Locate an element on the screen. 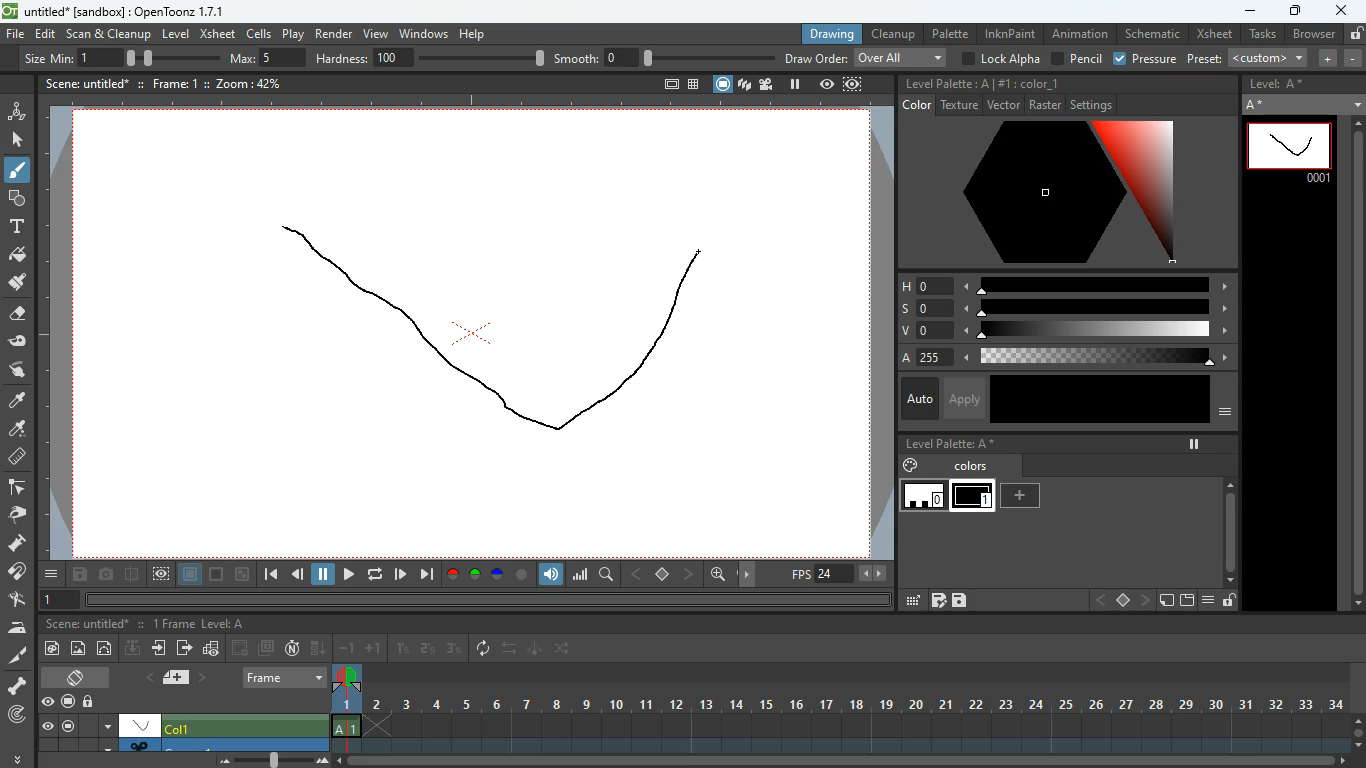 The width and height of the screenshot is (1366, 768). sticker is located at coordinates (1165, 601).